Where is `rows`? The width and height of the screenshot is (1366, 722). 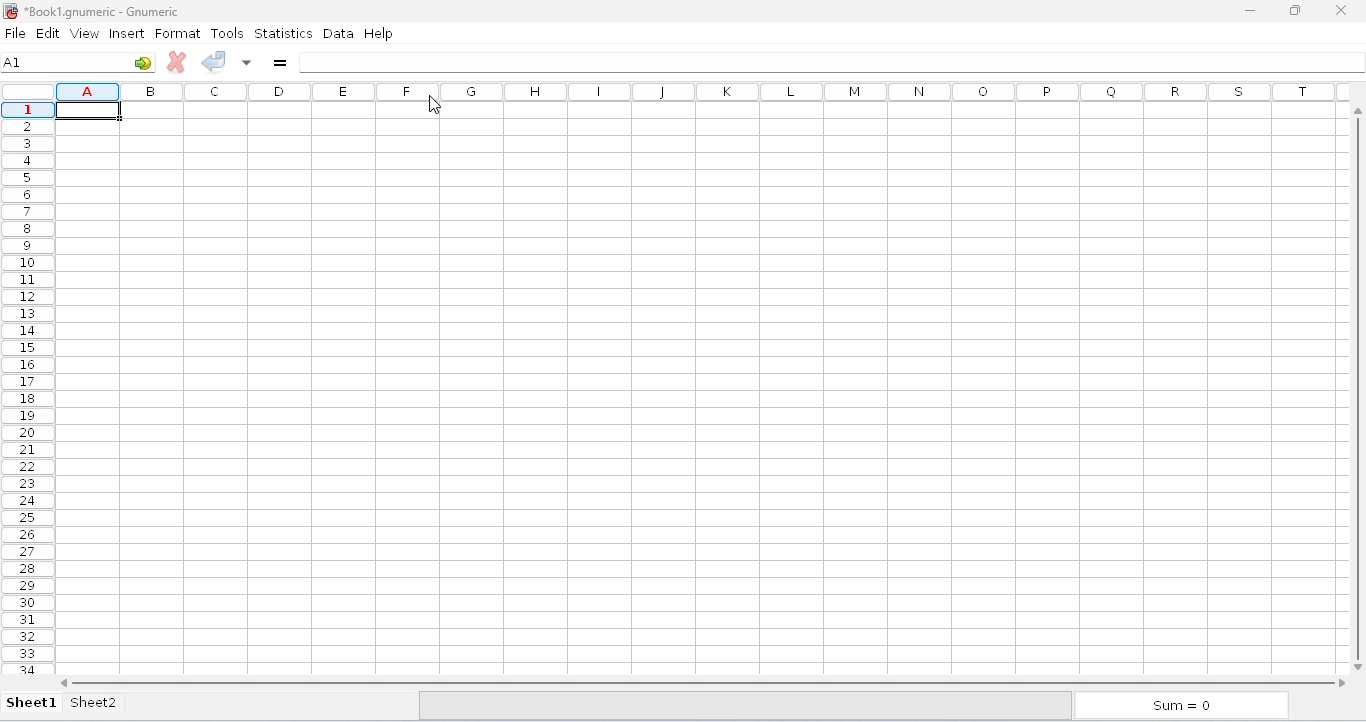 rows is located at coordinates (29, 387).